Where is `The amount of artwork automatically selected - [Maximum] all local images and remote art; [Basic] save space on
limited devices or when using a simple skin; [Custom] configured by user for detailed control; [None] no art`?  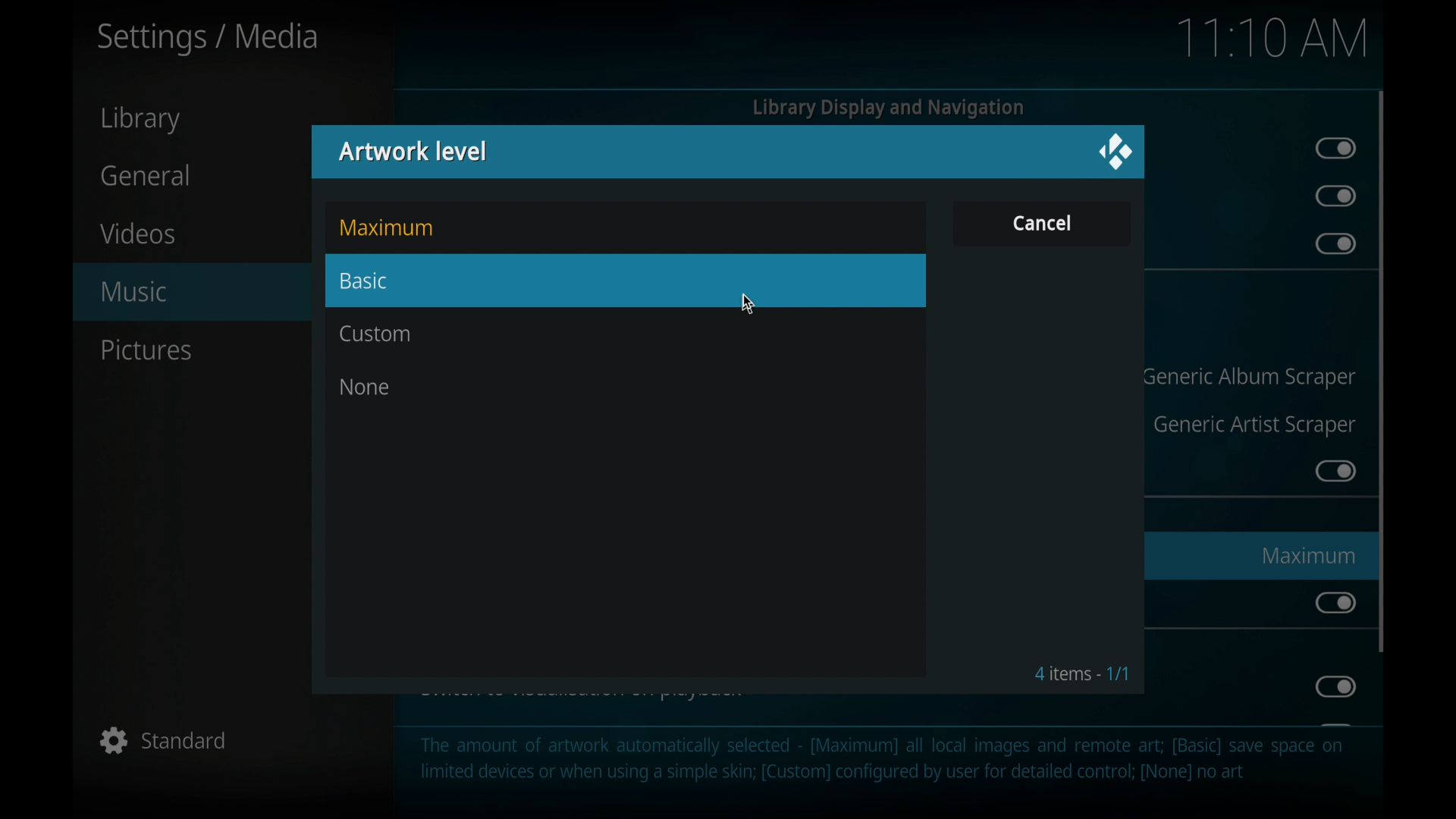 The amount of artwork automatically selected - [Maximum] all local images and remote art; [Basic] save space on
limited devices or when using a simple skin; [Custom] configured by user for detailed control; [None] no art is located at coordinates (882, 767).